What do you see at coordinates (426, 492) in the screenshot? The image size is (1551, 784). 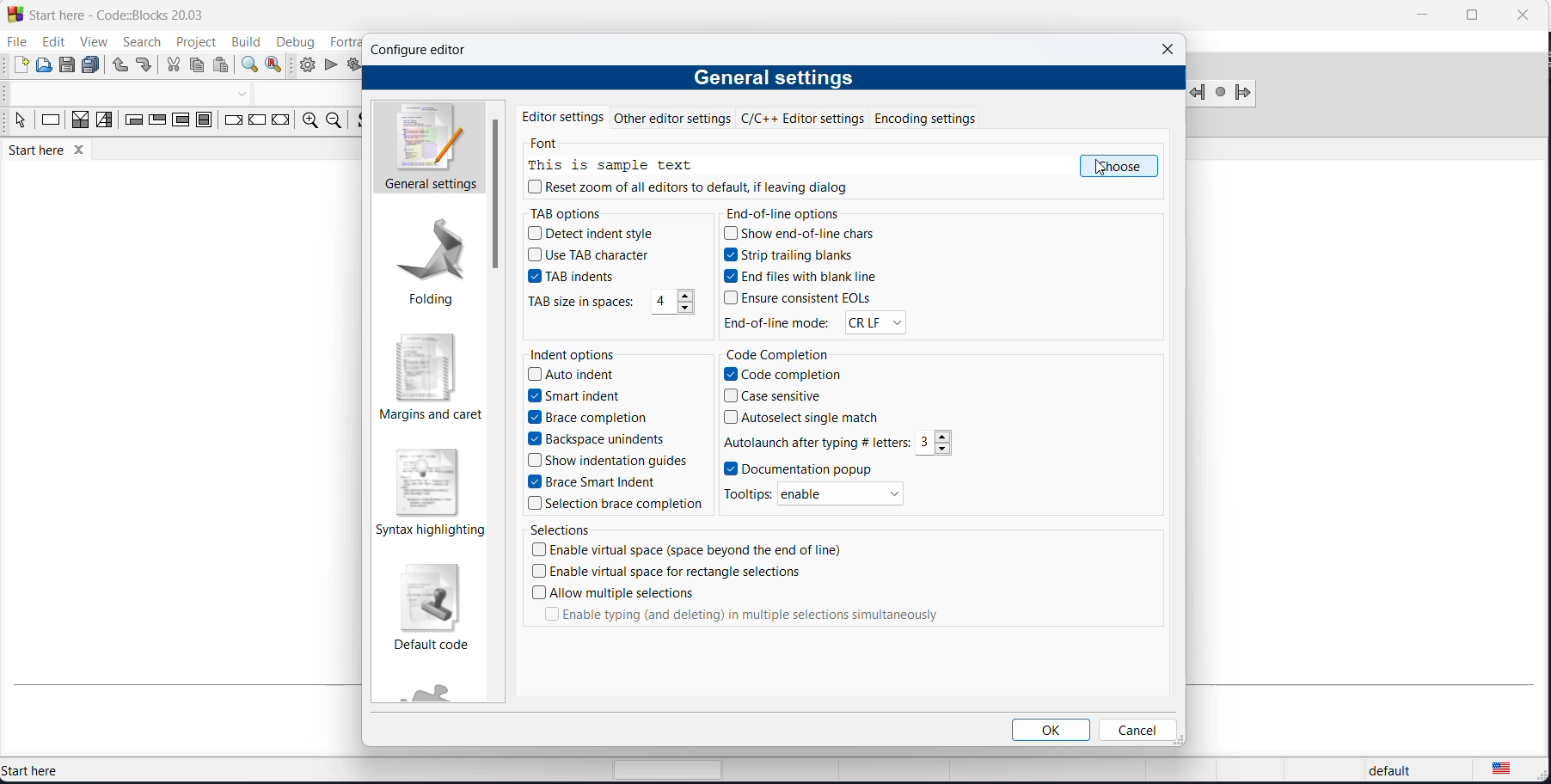 I see `syntax highlighting` at bounding box center [426, 492].